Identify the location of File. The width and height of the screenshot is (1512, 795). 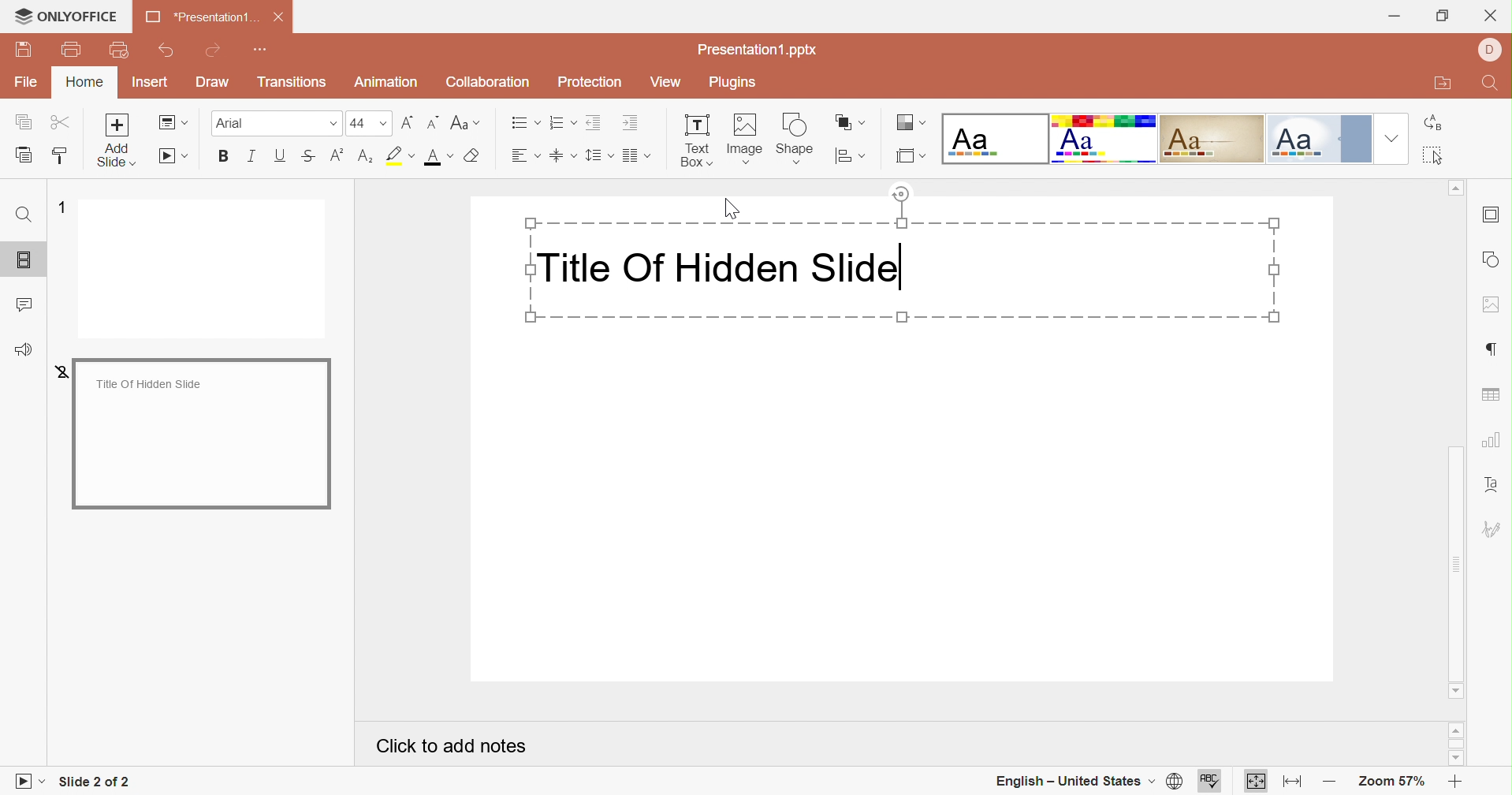
(26, 82).